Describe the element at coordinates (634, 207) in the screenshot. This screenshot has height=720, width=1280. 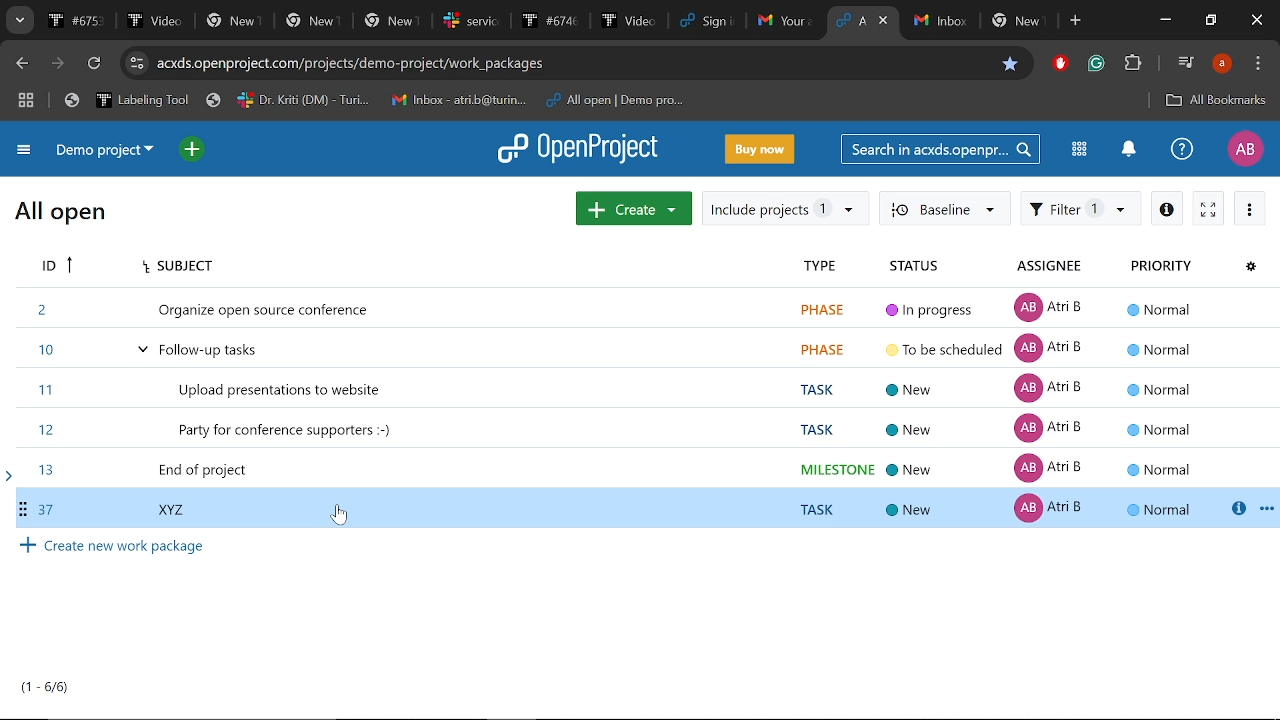
I see `Create` at that location.